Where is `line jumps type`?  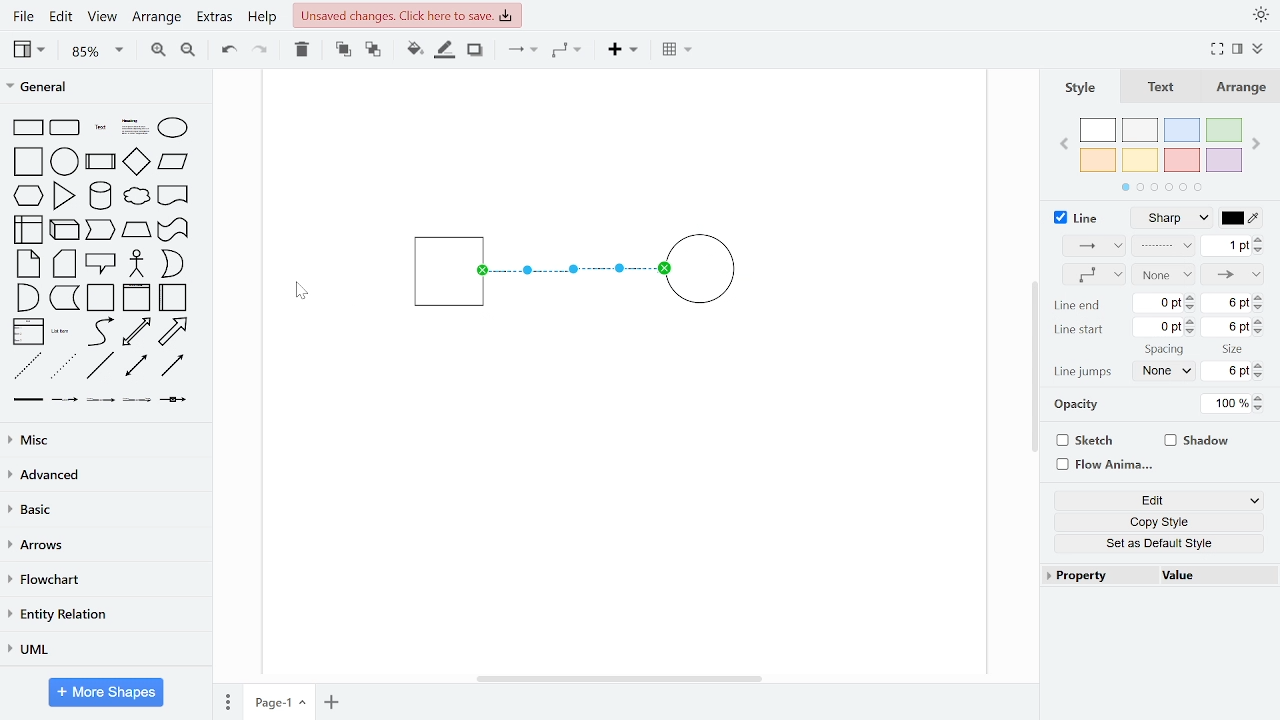 line jumps type is located at coordinates (1161, 372).